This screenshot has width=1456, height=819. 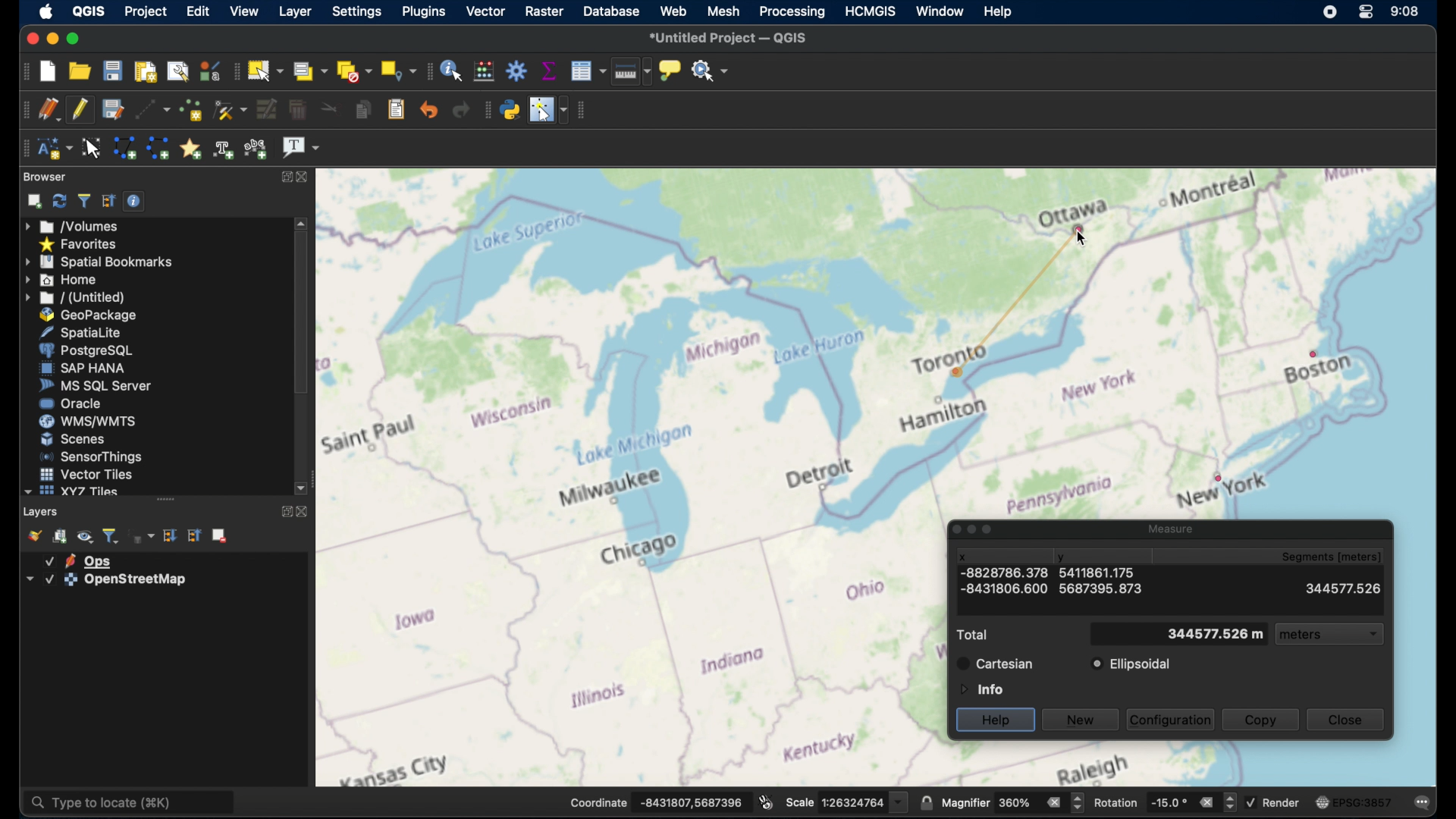 I want to click on close, so click(x=1350, y=720).